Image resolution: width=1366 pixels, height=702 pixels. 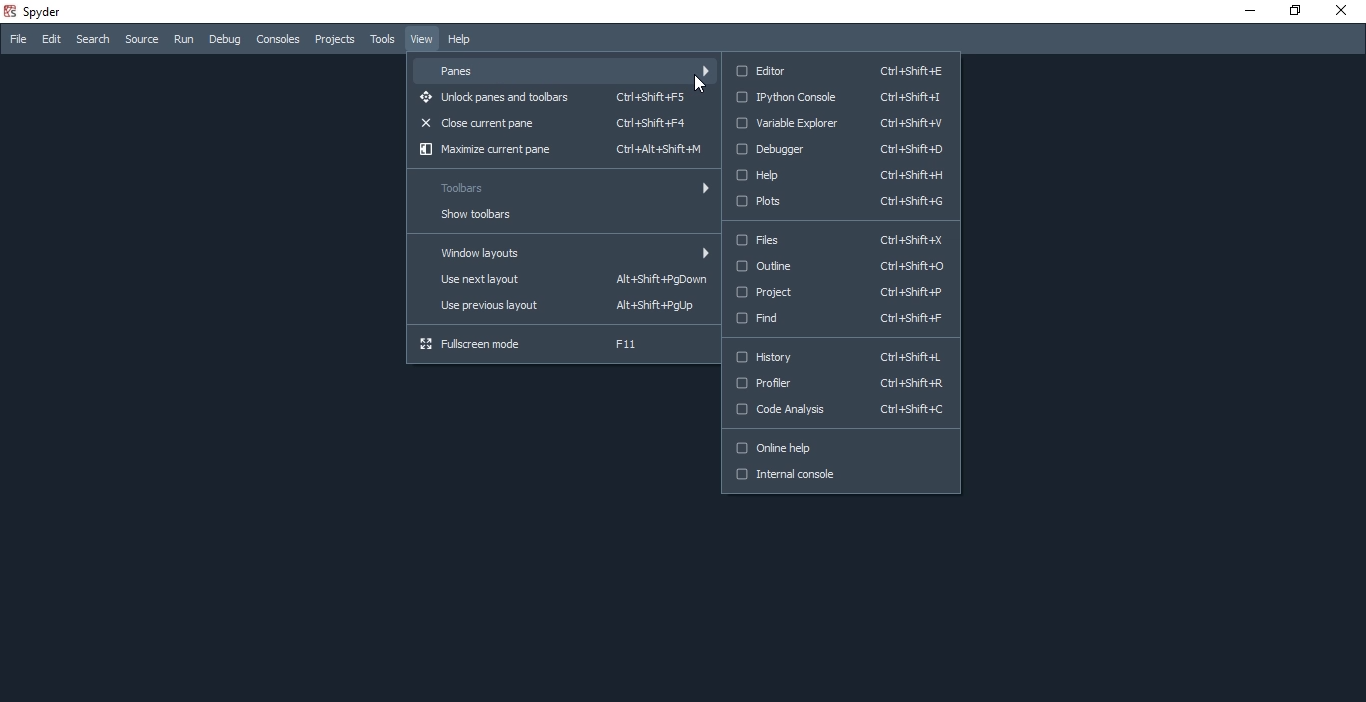 What do you see at coordinates (846, 266) in the screenshot?
I see `highlighted` at bounding box center [846, 266].